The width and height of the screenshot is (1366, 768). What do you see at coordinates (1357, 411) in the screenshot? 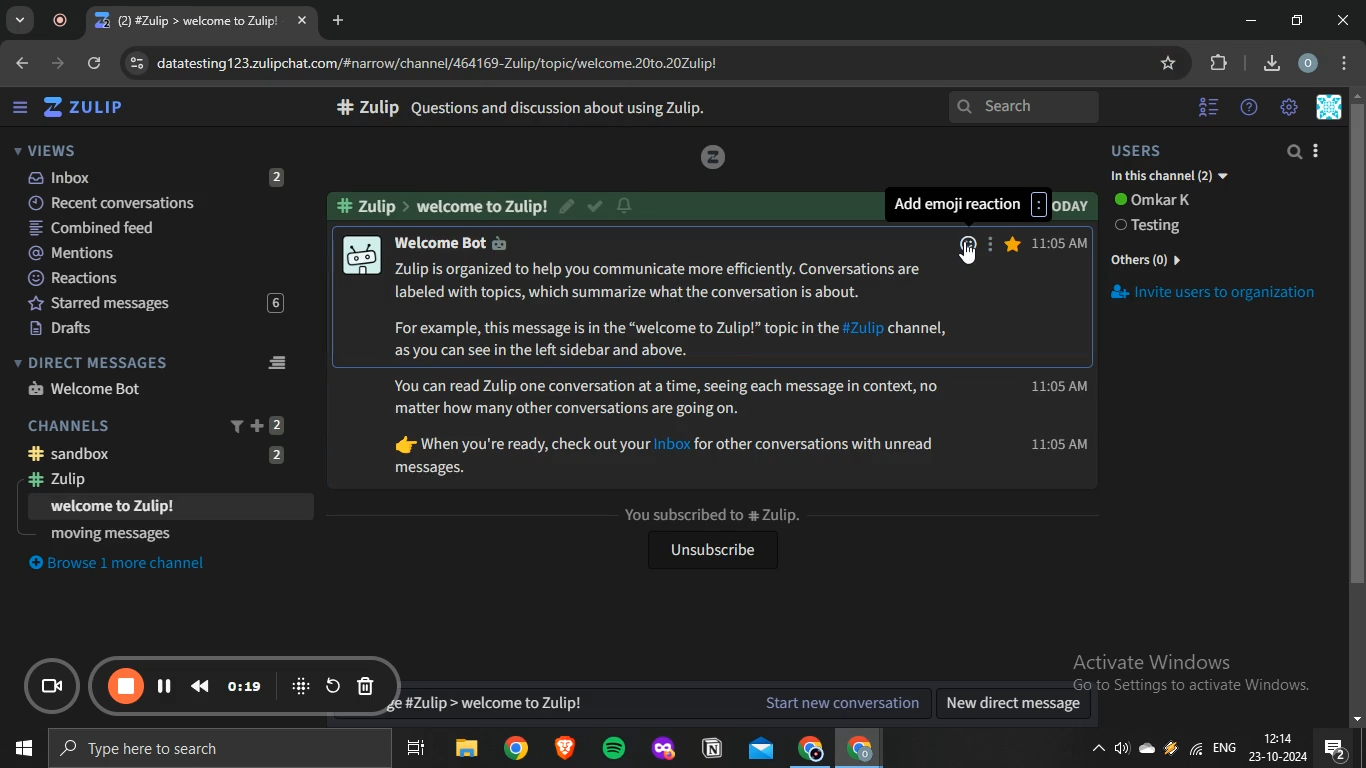
I see `scrollbar` at bounding box center [1357, 411].